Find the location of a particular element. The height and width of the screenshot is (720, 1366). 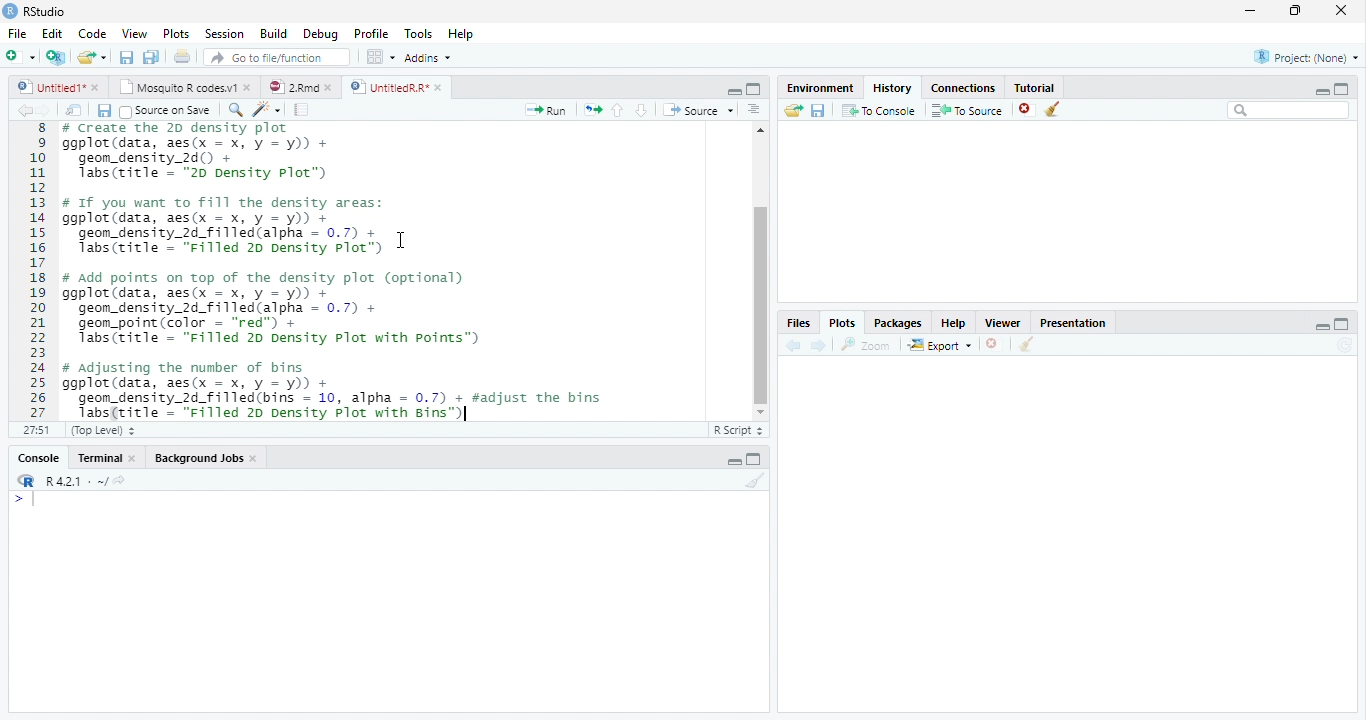

next is located at coordinates (52, 112).